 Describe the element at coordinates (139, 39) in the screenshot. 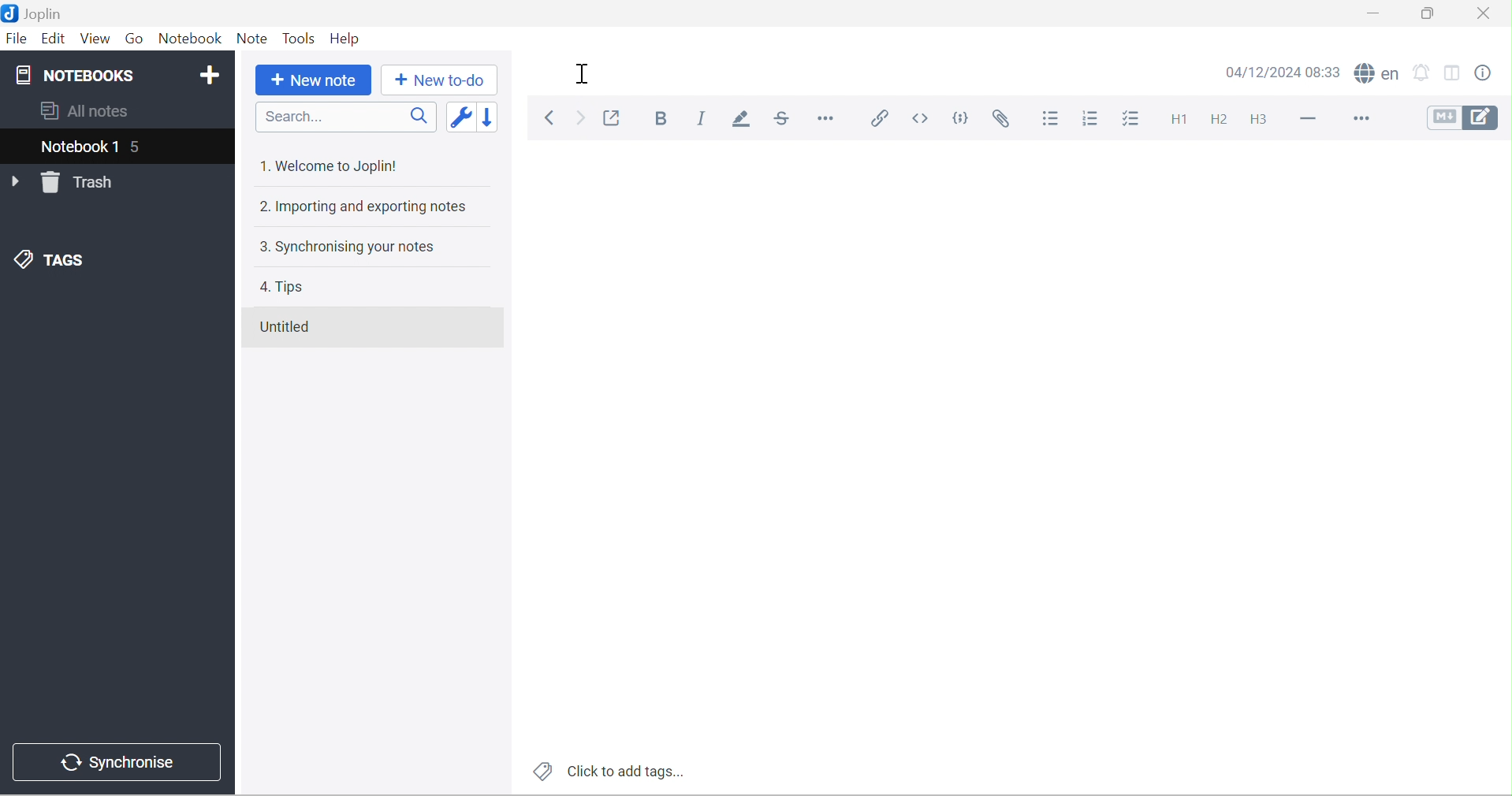

I see `Go` at that location.